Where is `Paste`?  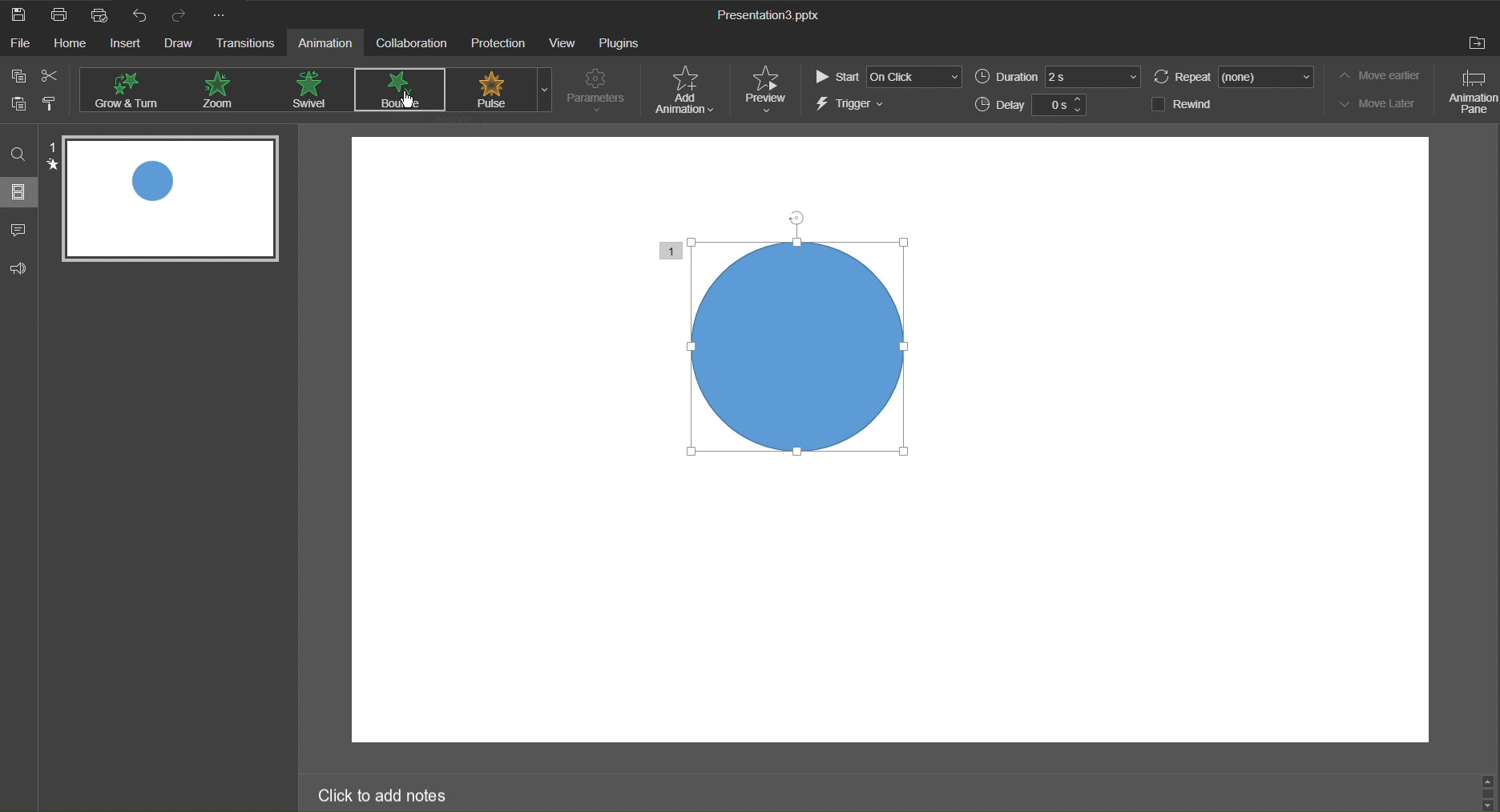
Paste is located at coordinates (18, 107).